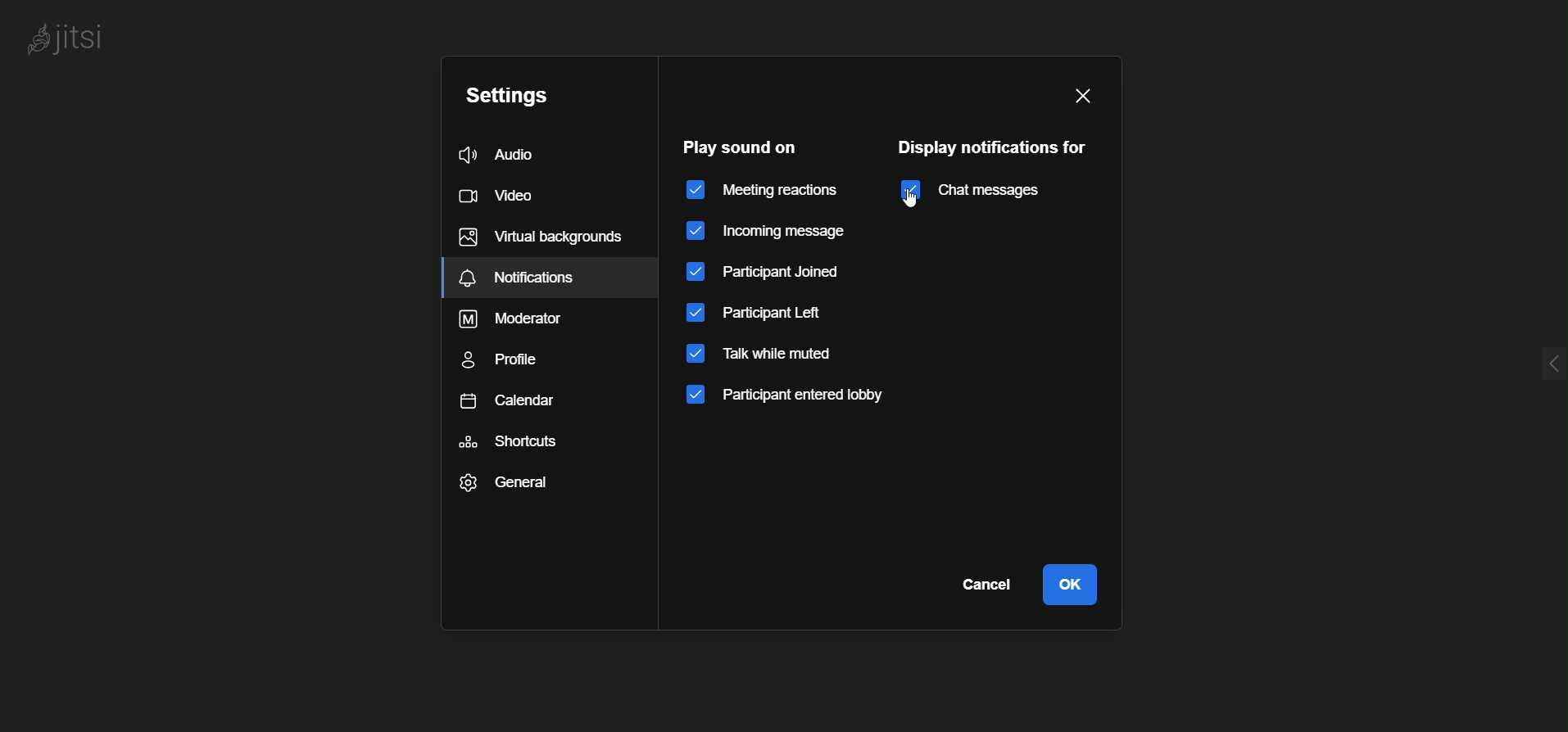 The height and width of the screenshot is (732, 1568). Describe the element at coordinates (778, 229) in the screenshot. I see `incoming message` at that location.